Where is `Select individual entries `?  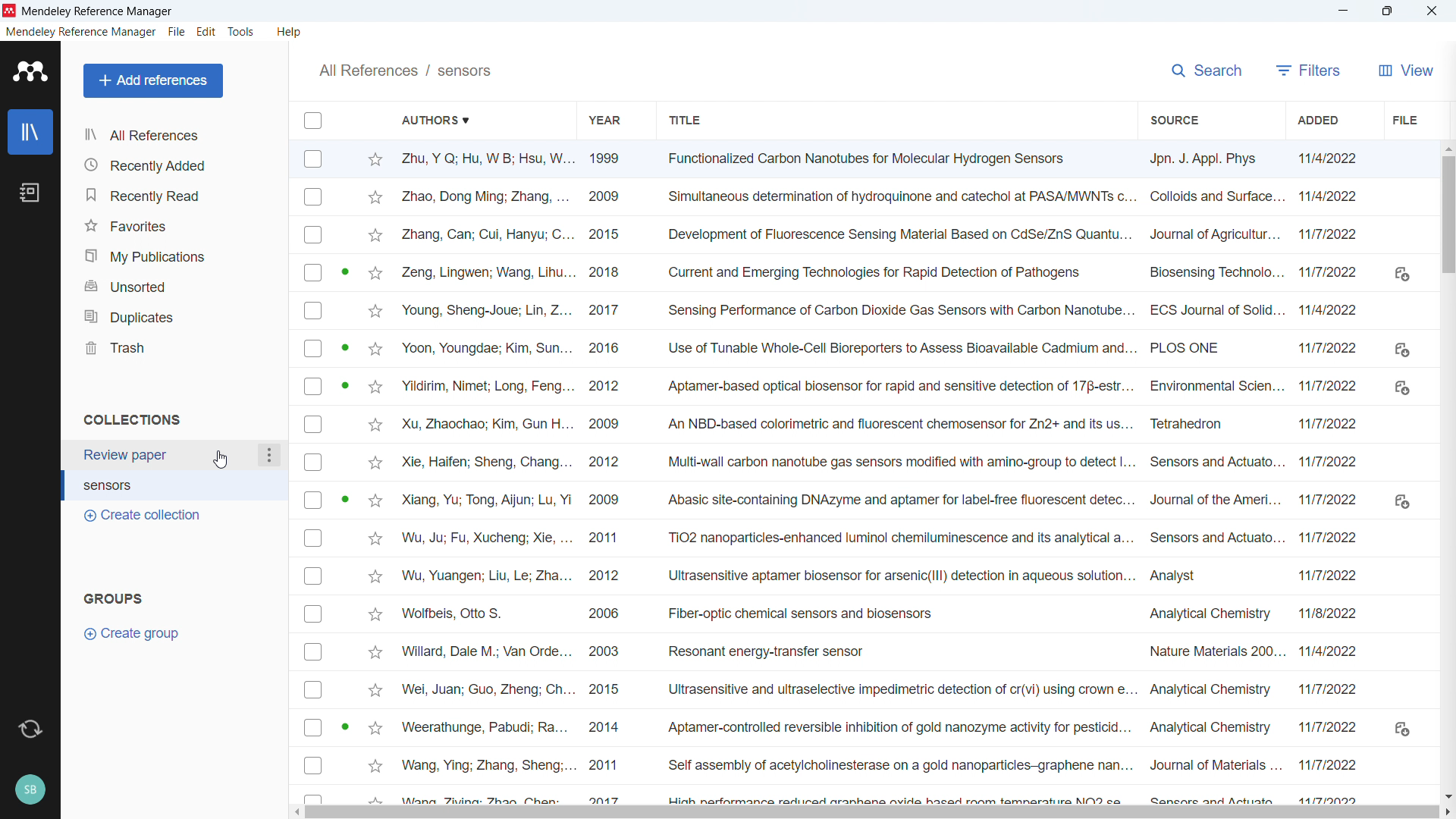
Select individual entries  is located at coordinates (315, 472).